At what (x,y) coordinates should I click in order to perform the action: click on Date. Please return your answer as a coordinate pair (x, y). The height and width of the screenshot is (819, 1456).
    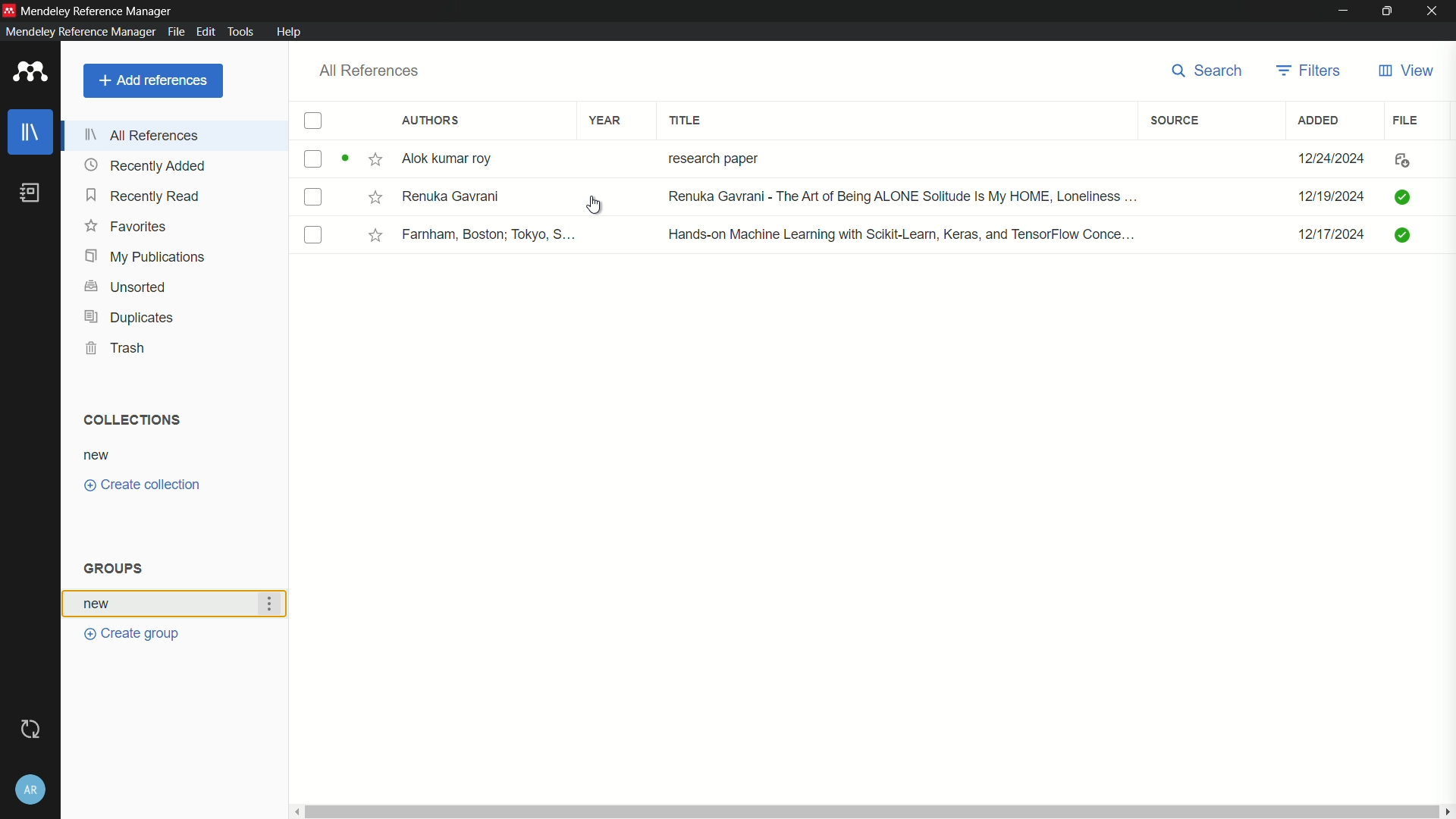
    Looking at the image, I should click on (1334, 240).